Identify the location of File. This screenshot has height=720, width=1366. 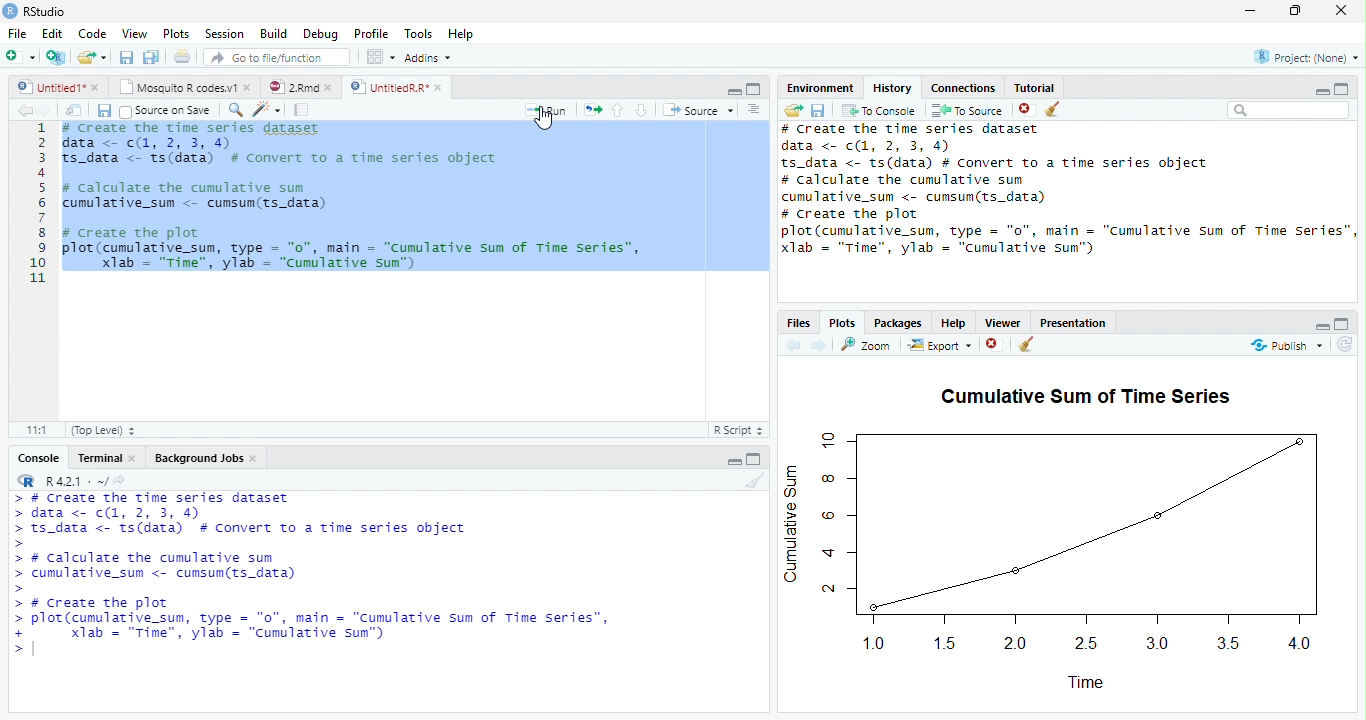
(16, 34).